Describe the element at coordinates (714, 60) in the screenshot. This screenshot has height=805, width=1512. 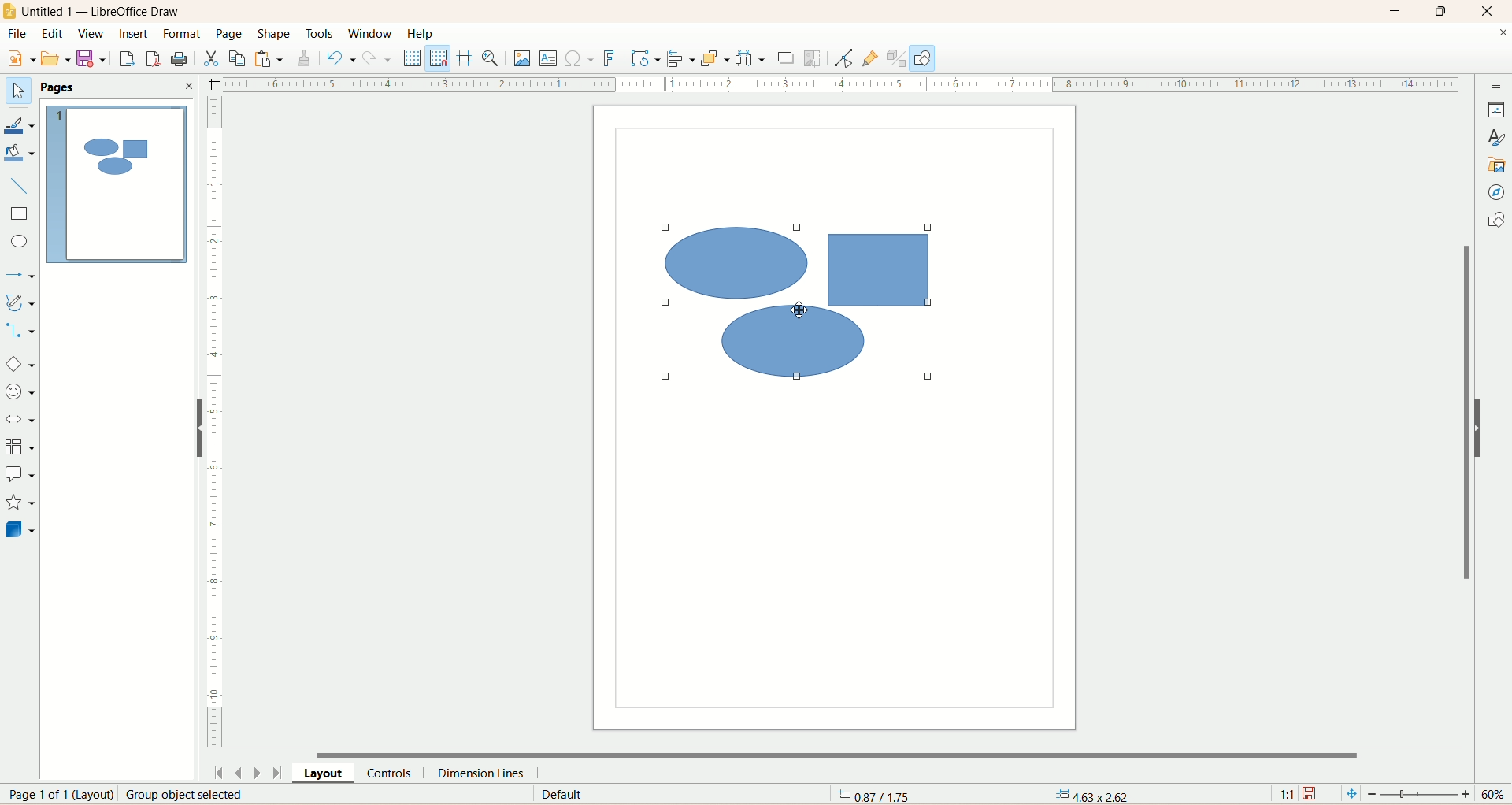
I see `arrange` at that location.